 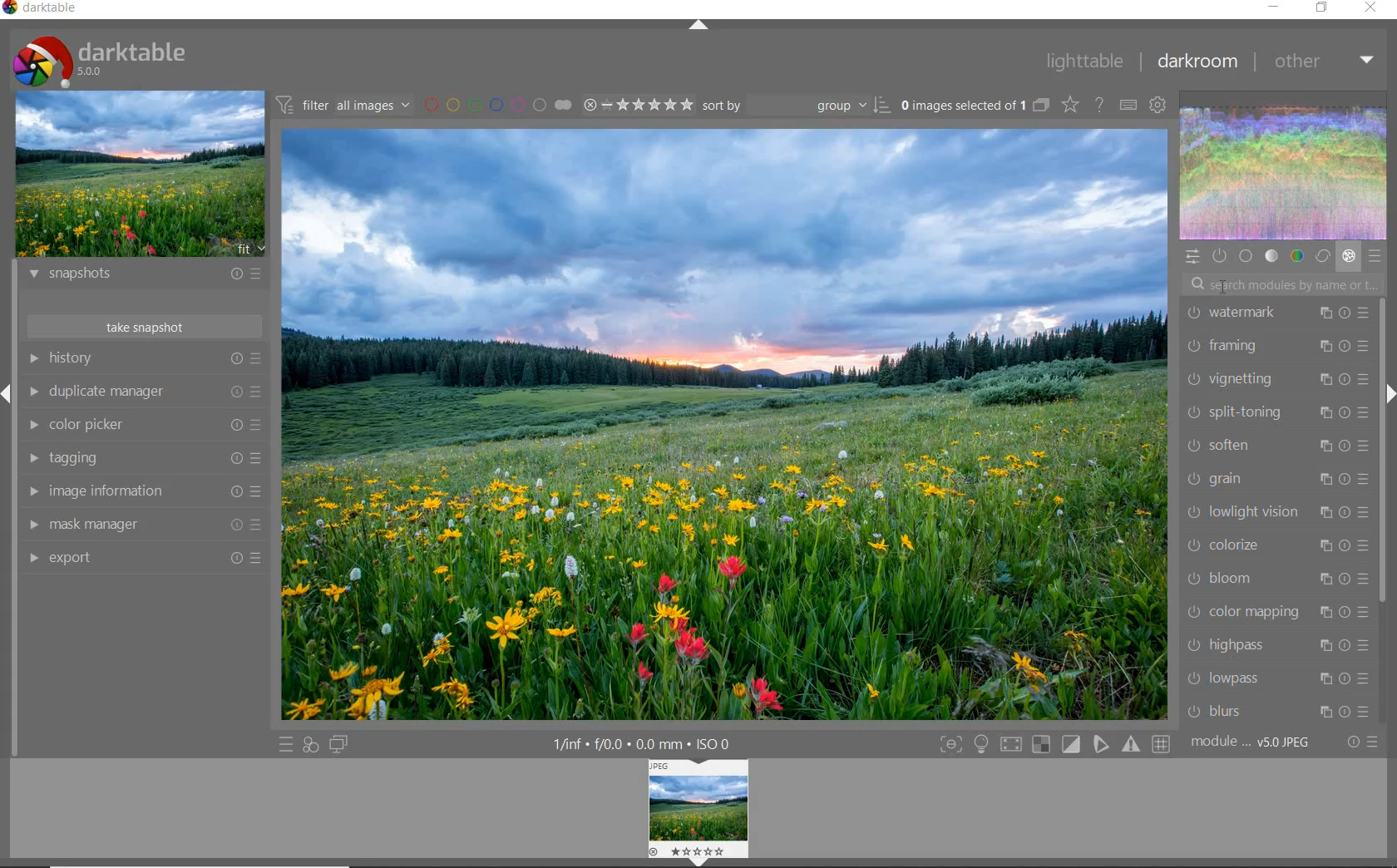 I want to click on image preview, so click(x=697, y=813).